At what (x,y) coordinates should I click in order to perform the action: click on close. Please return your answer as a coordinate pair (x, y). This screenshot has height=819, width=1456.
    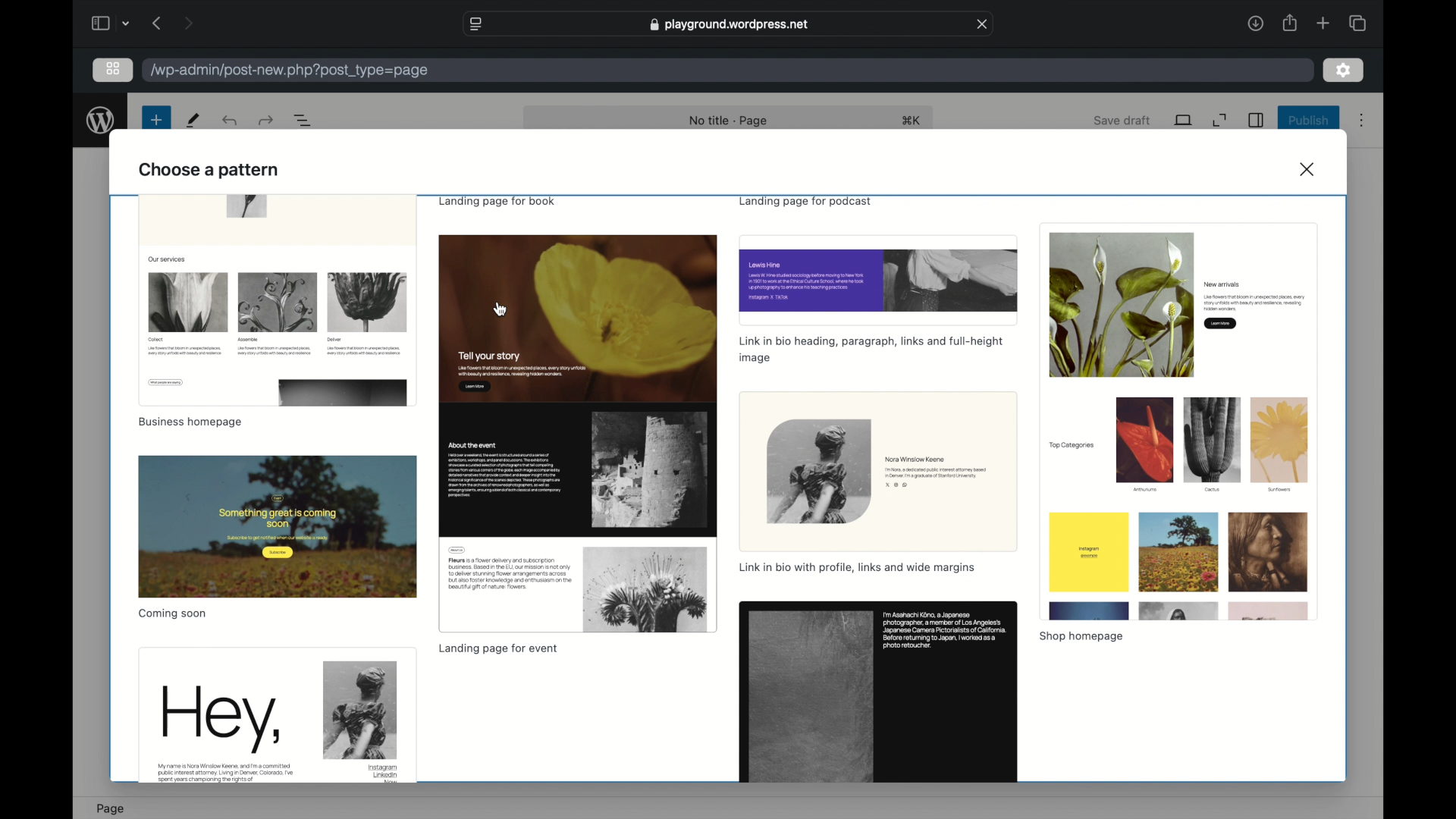
    Looking at the image, I should click on (1309, 169).